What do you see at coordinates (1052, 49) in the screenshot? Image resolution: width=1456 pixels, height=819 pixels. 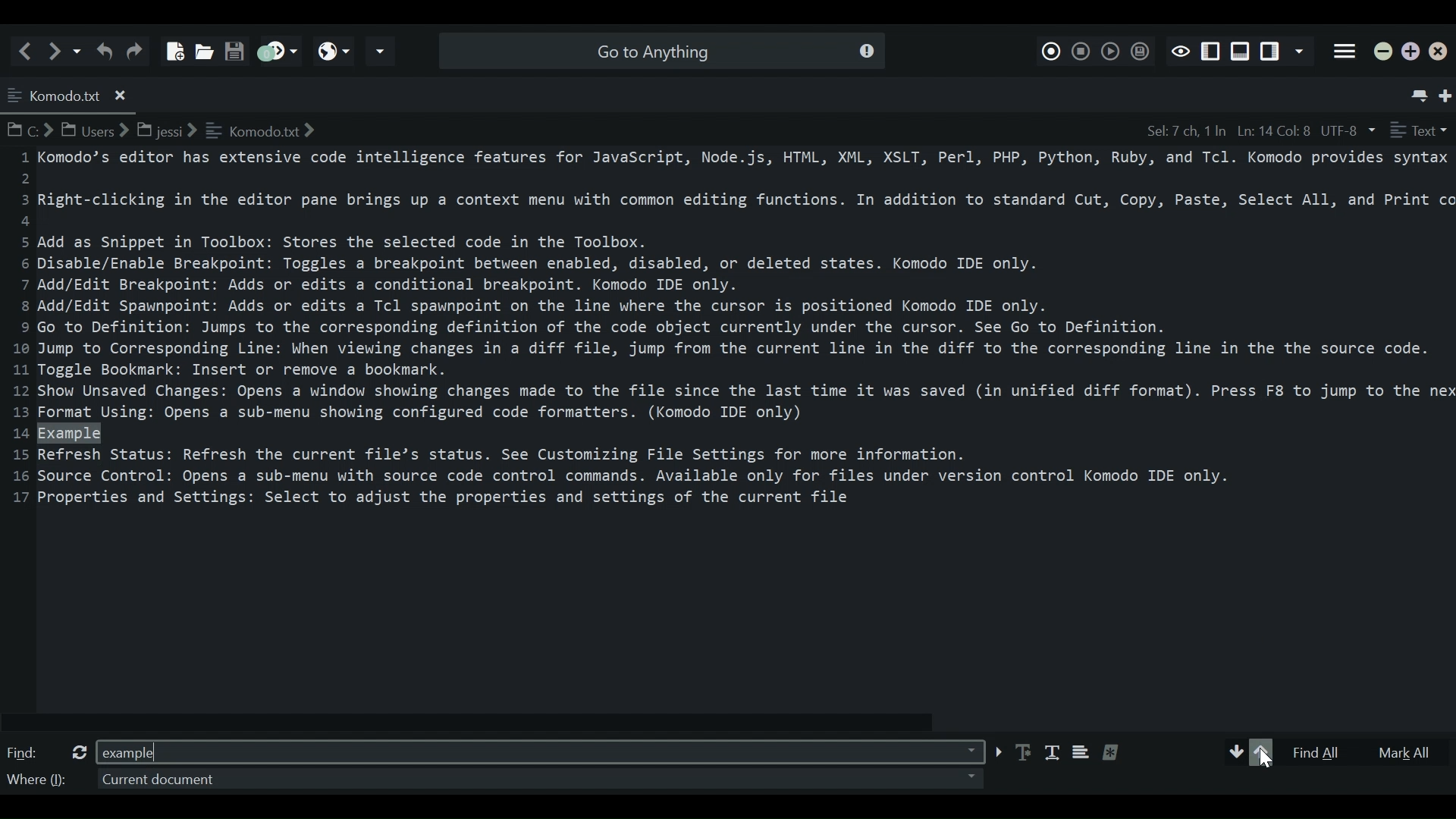 I see `Record Macro` at bounding box center [1052, 49].